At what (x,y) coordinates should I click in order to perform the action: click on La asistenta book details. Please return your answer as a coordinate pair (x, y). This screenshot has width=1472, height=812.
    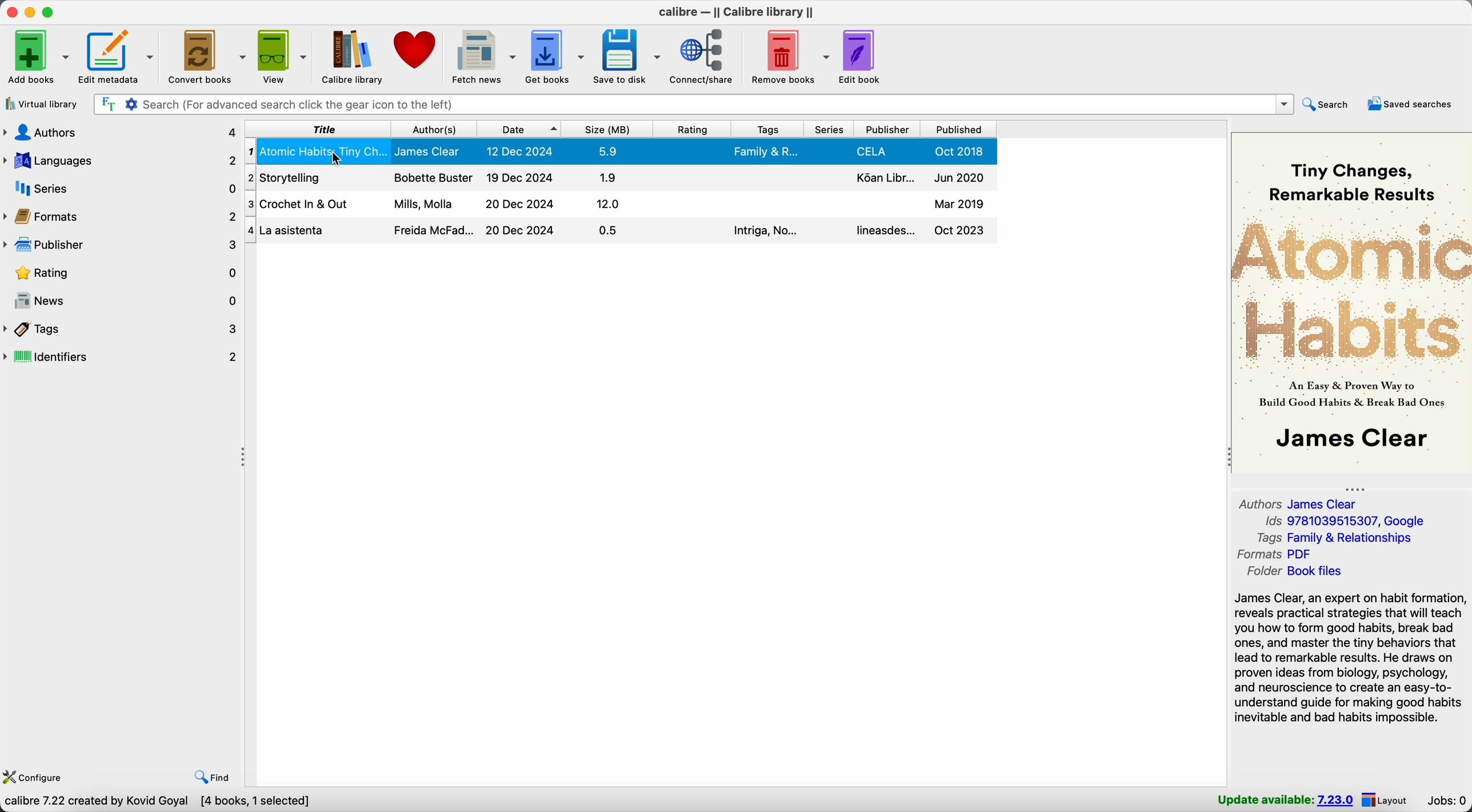
    Looking at the image, I should click on (621, 230).